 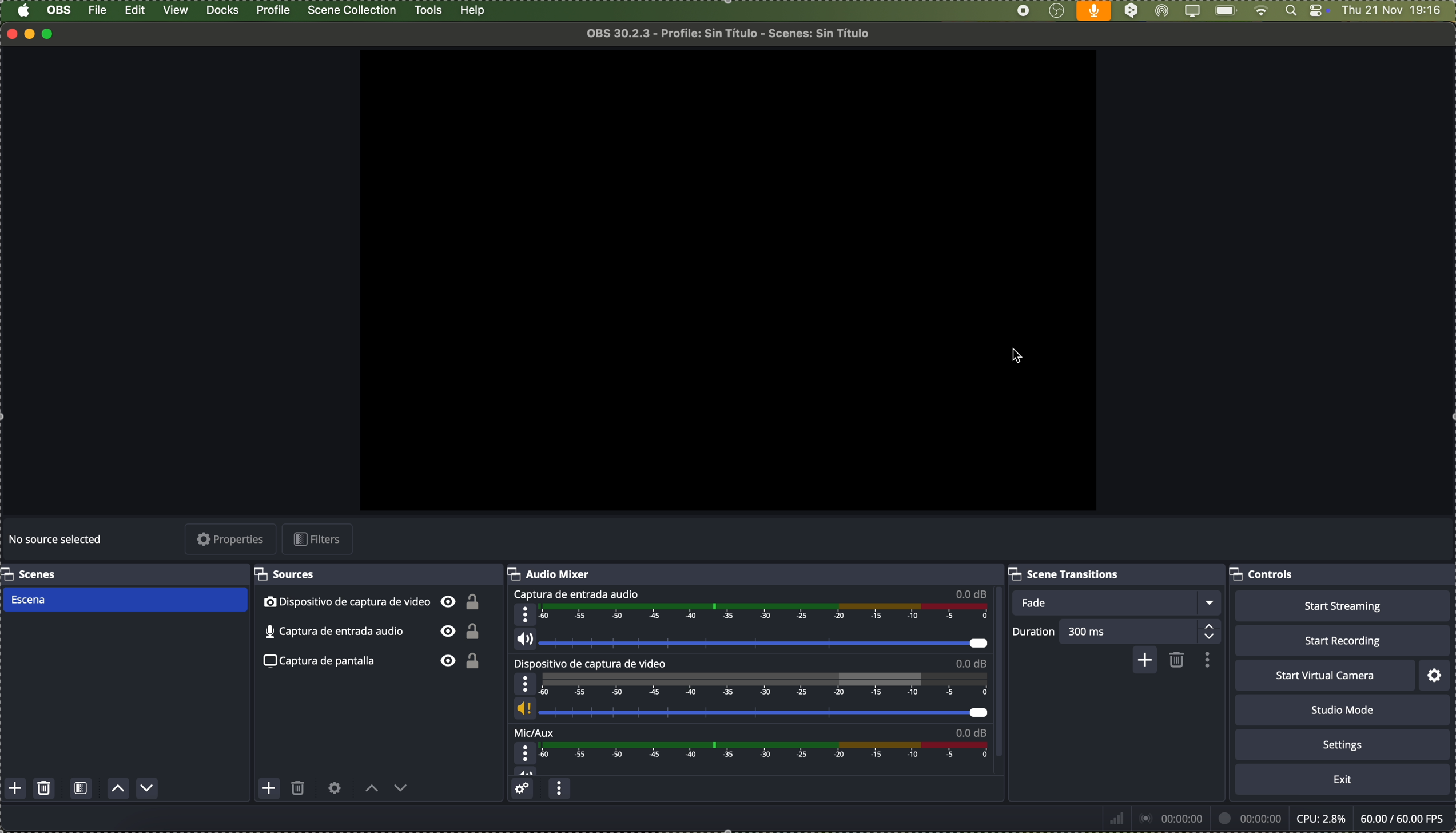 I want to click on screen, so click(x=1191, y=11).